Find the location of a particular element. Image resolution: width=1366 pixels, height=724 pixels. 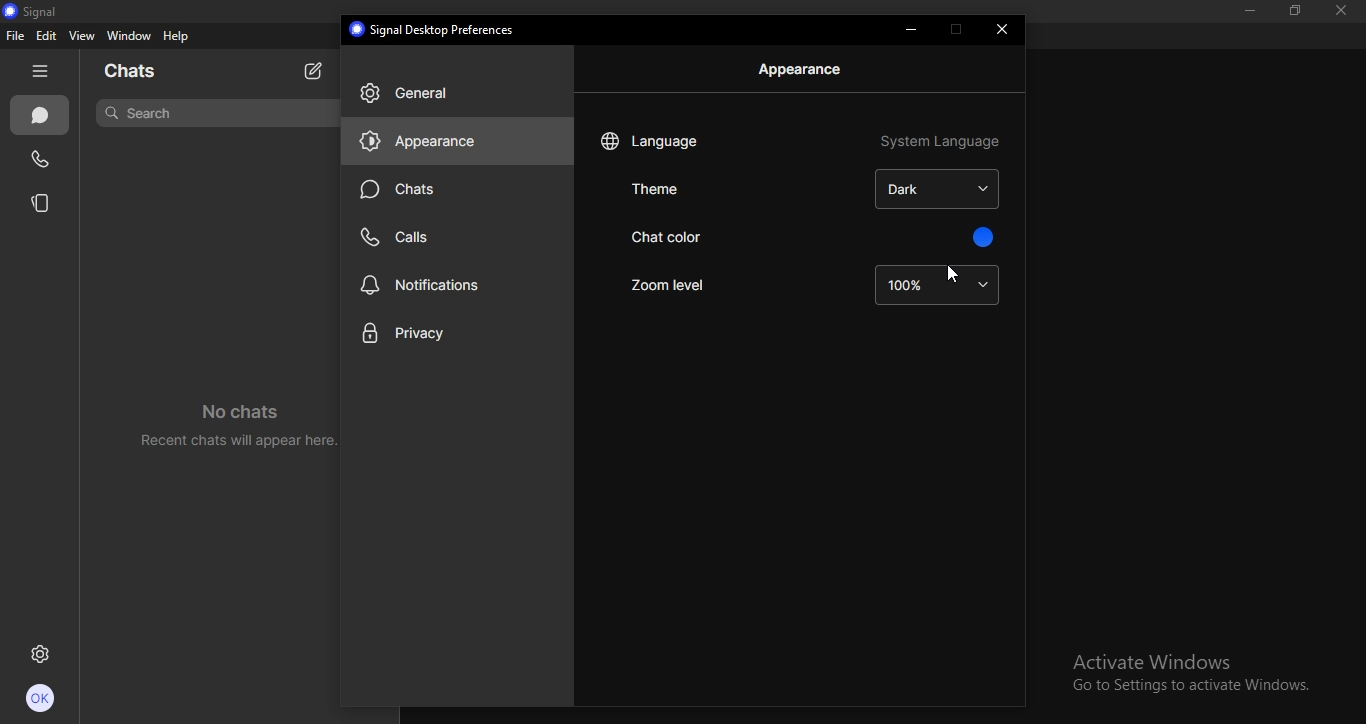

notifications is located at coordinates (426, 284).